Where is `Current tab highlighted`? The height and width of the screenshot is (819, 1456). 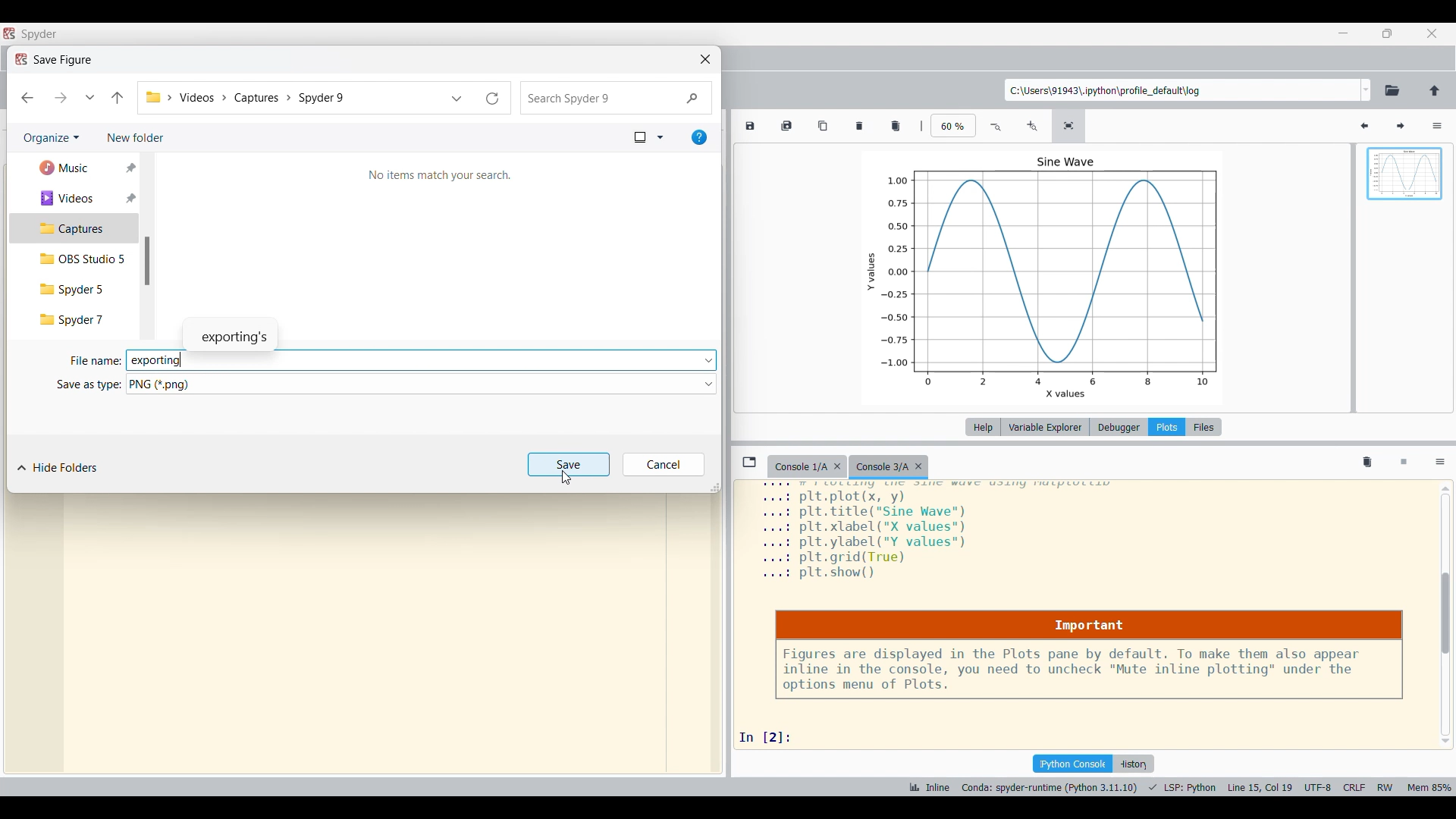 Current tab highlighted is located at coordinates (891, 467).